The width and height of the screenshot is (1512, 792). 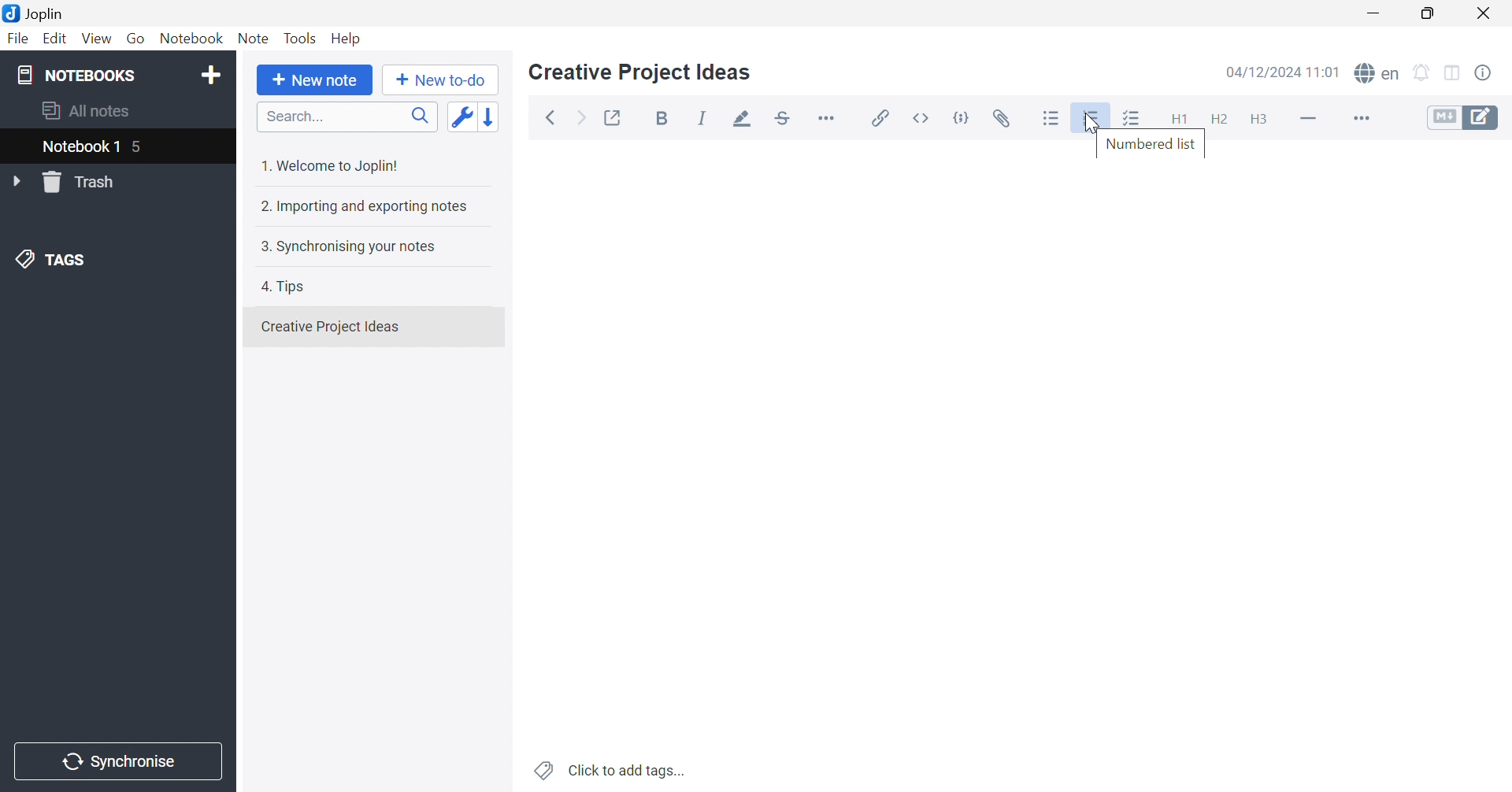 What do you see at coordinates (367, 208) in the screenshot?
I see `2. Importing and exporting notes` at bounding box center [367, 208].